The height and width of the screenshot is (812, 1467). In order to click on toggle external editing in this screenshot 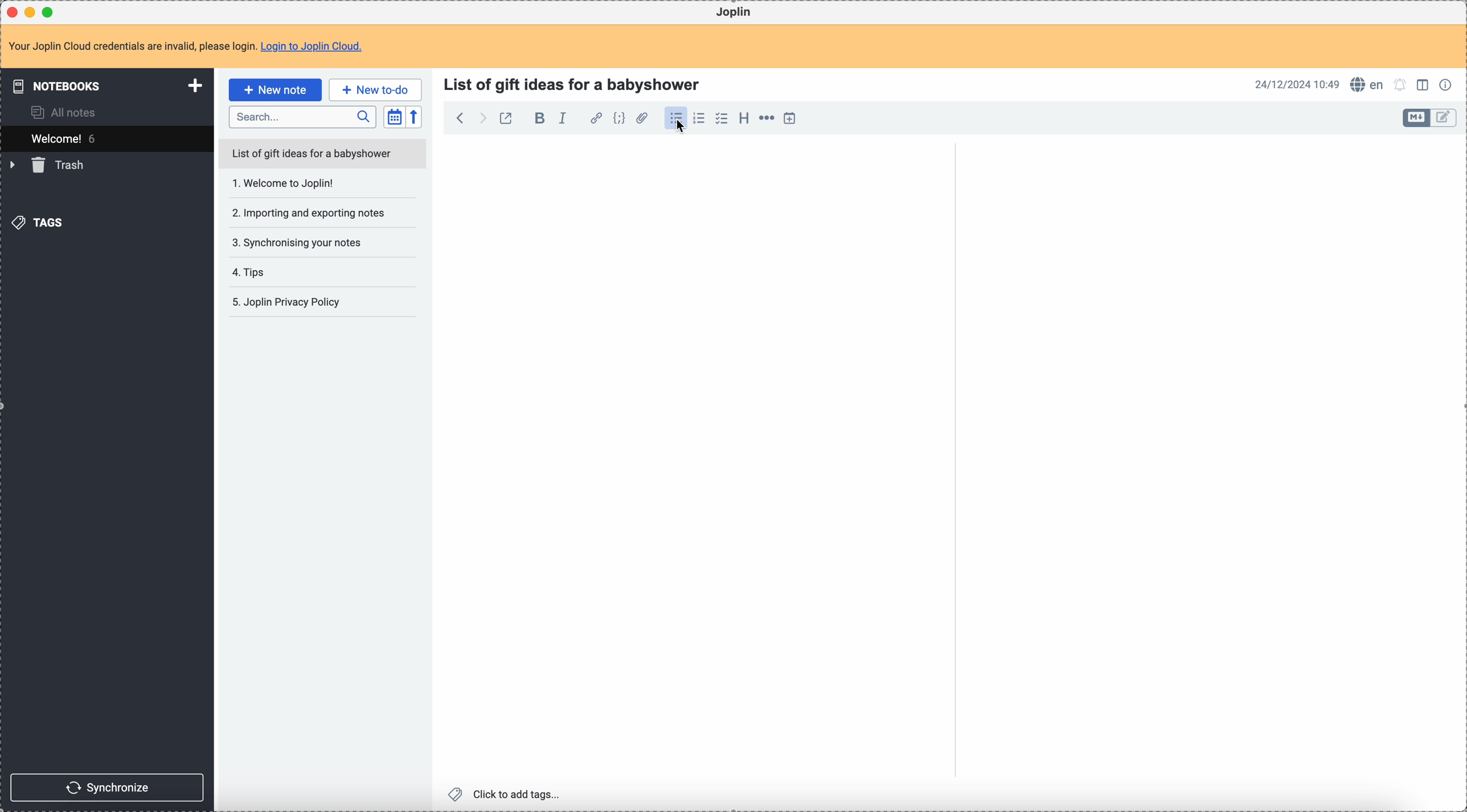, I will do `click(505, 118)`.